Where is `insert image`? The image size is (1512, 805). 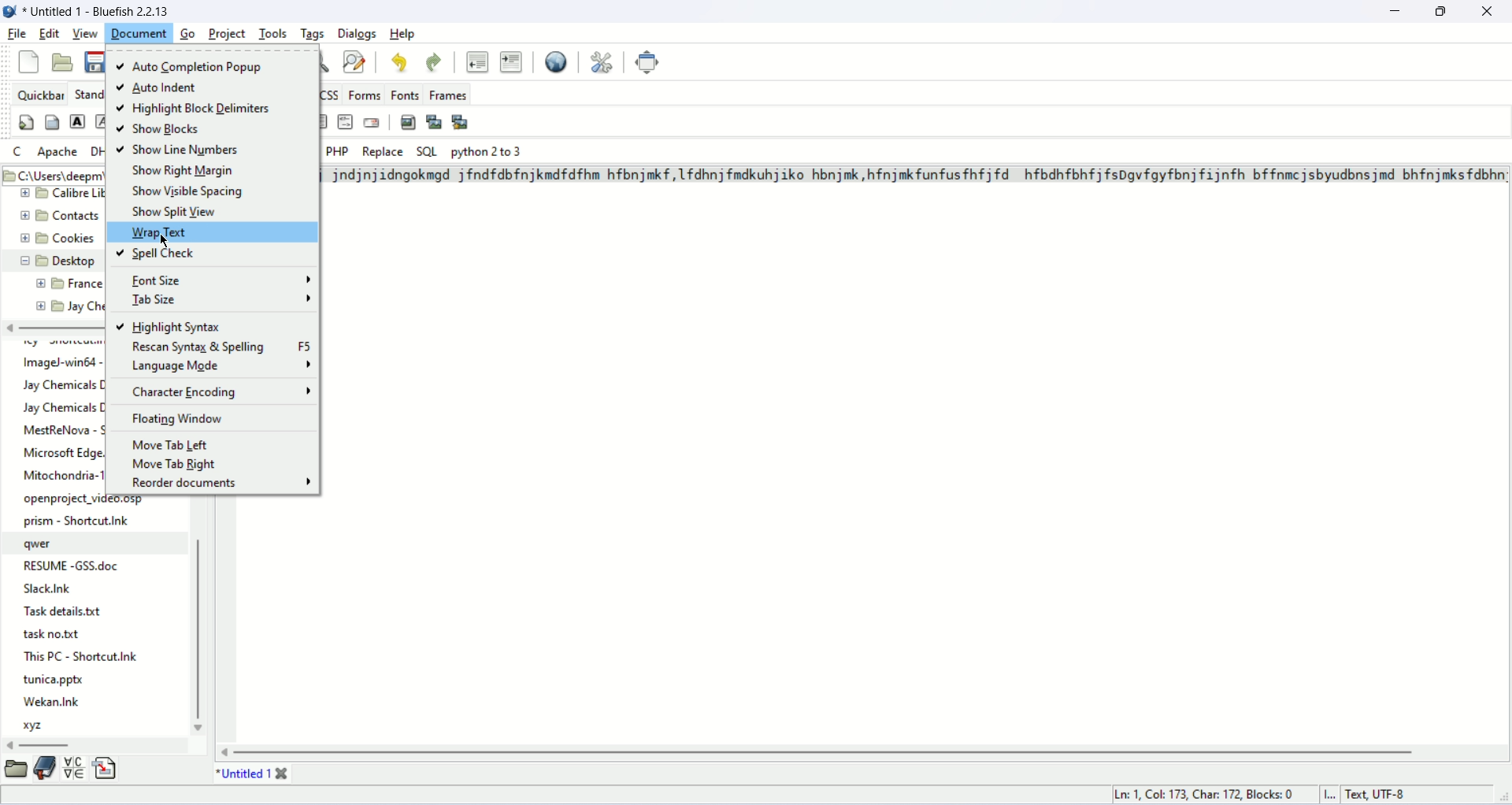 insert image is located at coordinates (408, 122).